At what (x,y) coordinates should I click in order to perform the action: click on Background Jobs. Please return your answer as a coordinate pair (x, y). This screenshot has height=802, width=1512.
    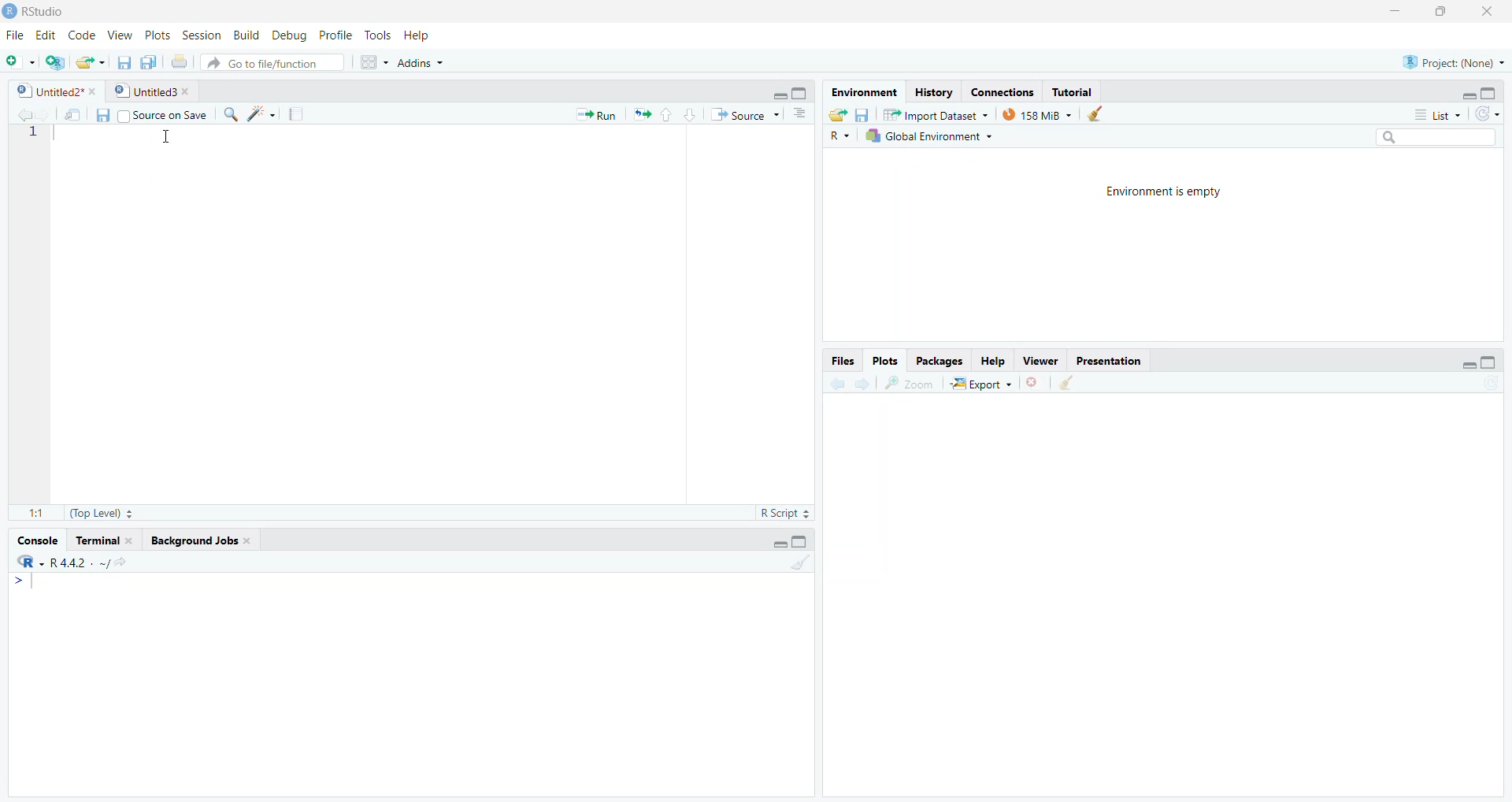
    Looking at the image, I should click on (209, 539).